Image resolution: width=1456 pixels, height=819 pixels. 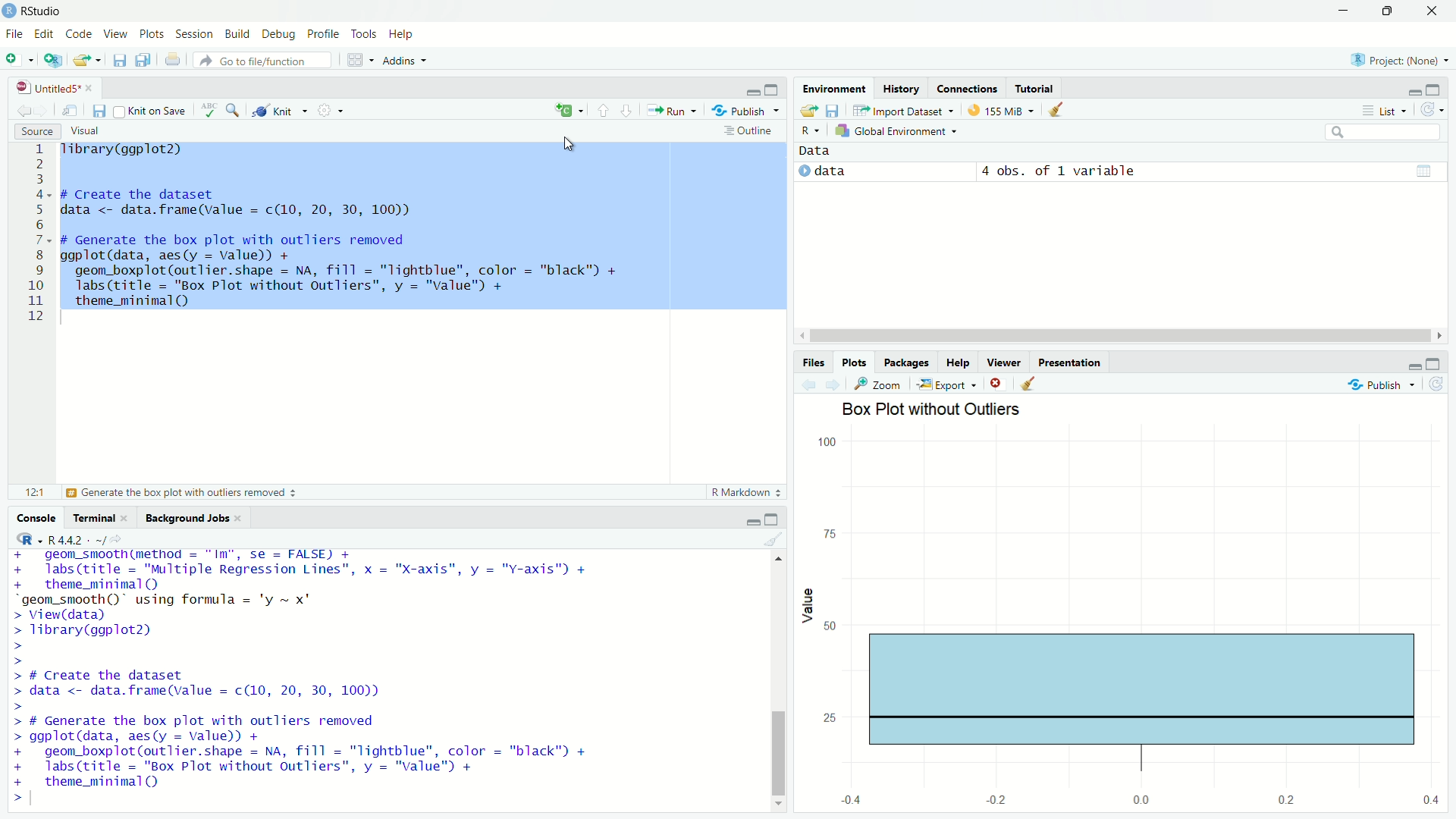 I want to click on minimise, so click(x=755, y=517).